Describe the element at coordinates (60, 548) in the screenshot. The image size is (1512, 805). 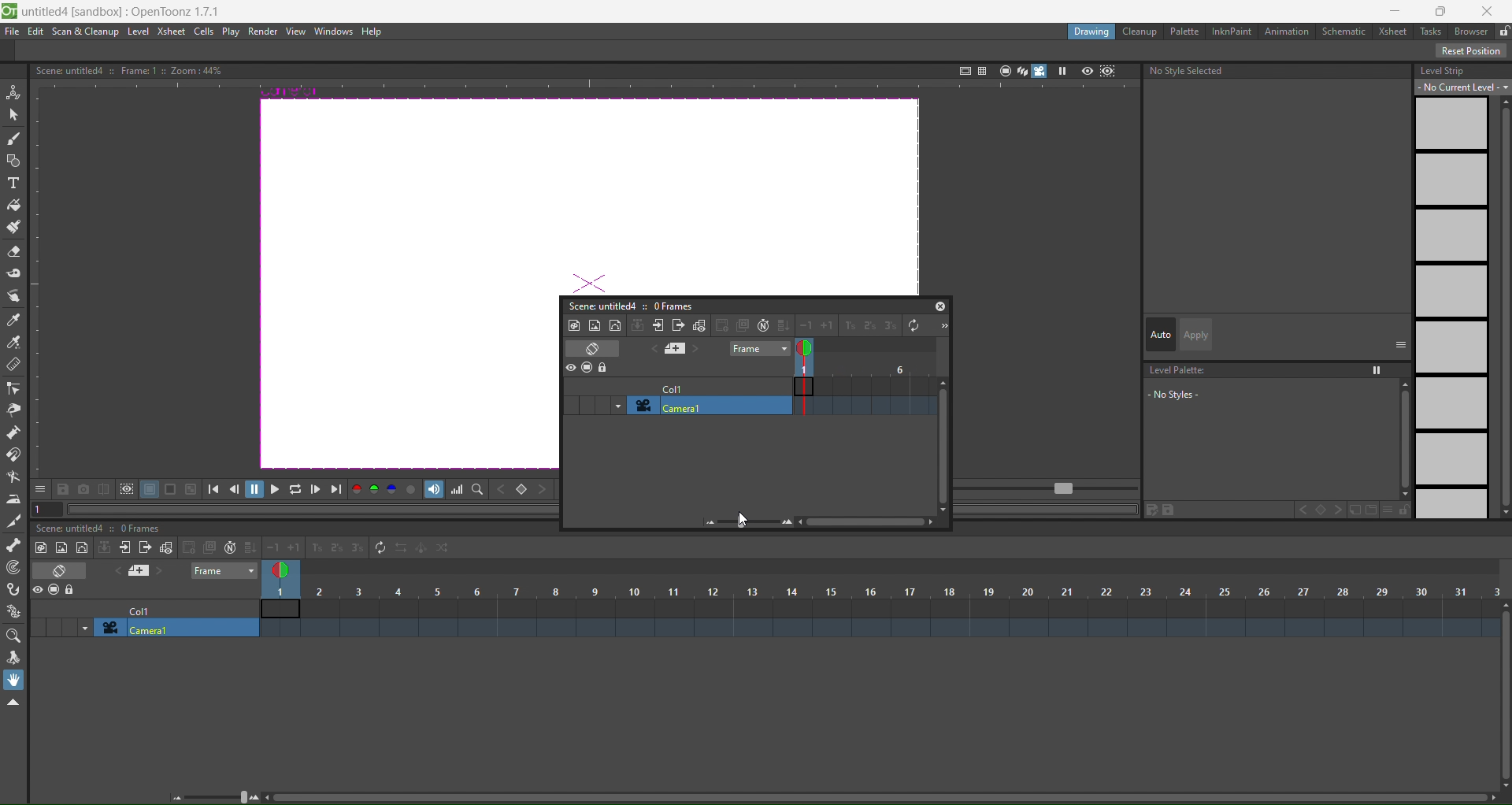
I see `ew raster level` at that location.